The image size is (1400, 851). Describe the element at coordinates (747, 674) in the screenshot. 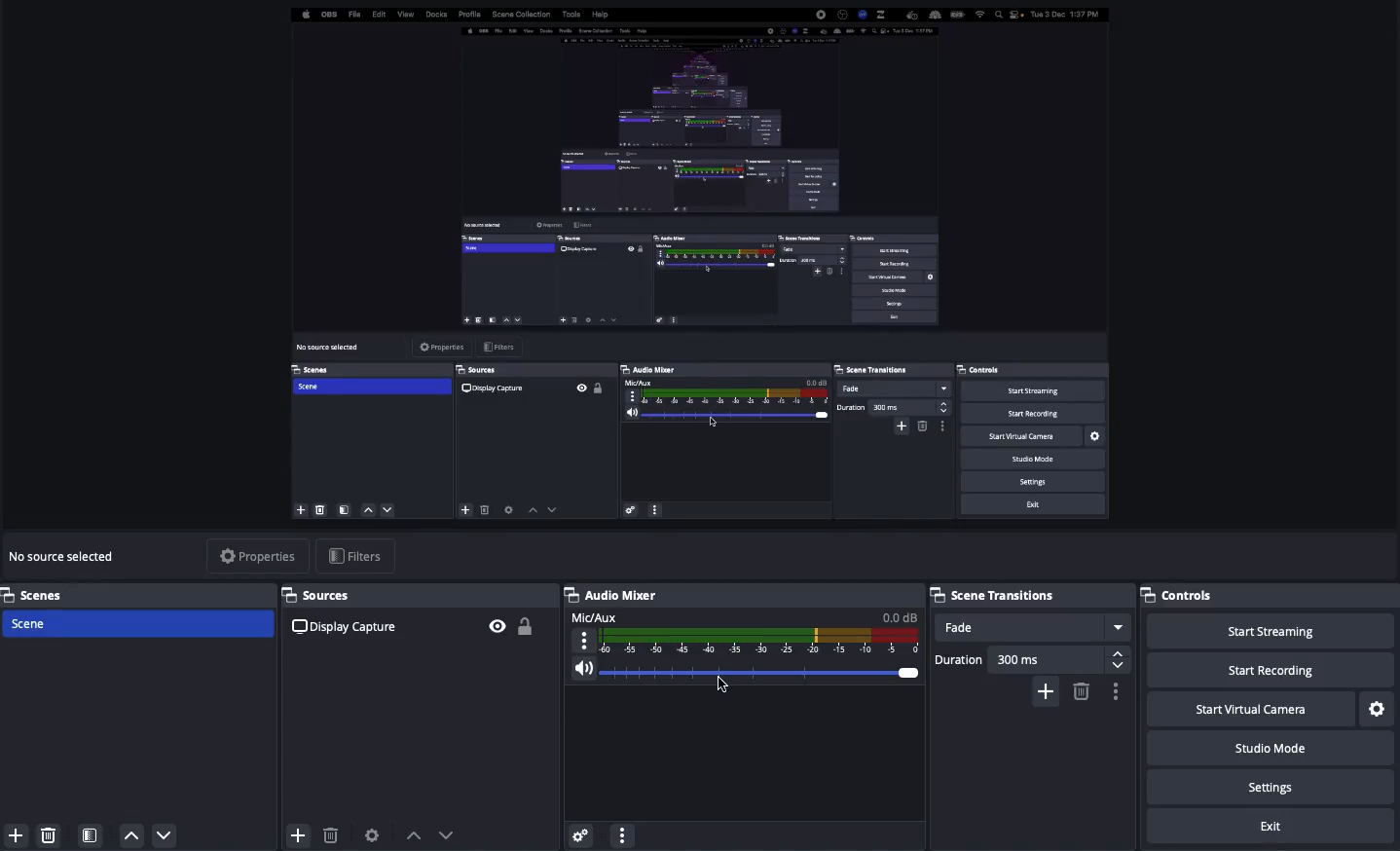

I see `Volume` at that location.